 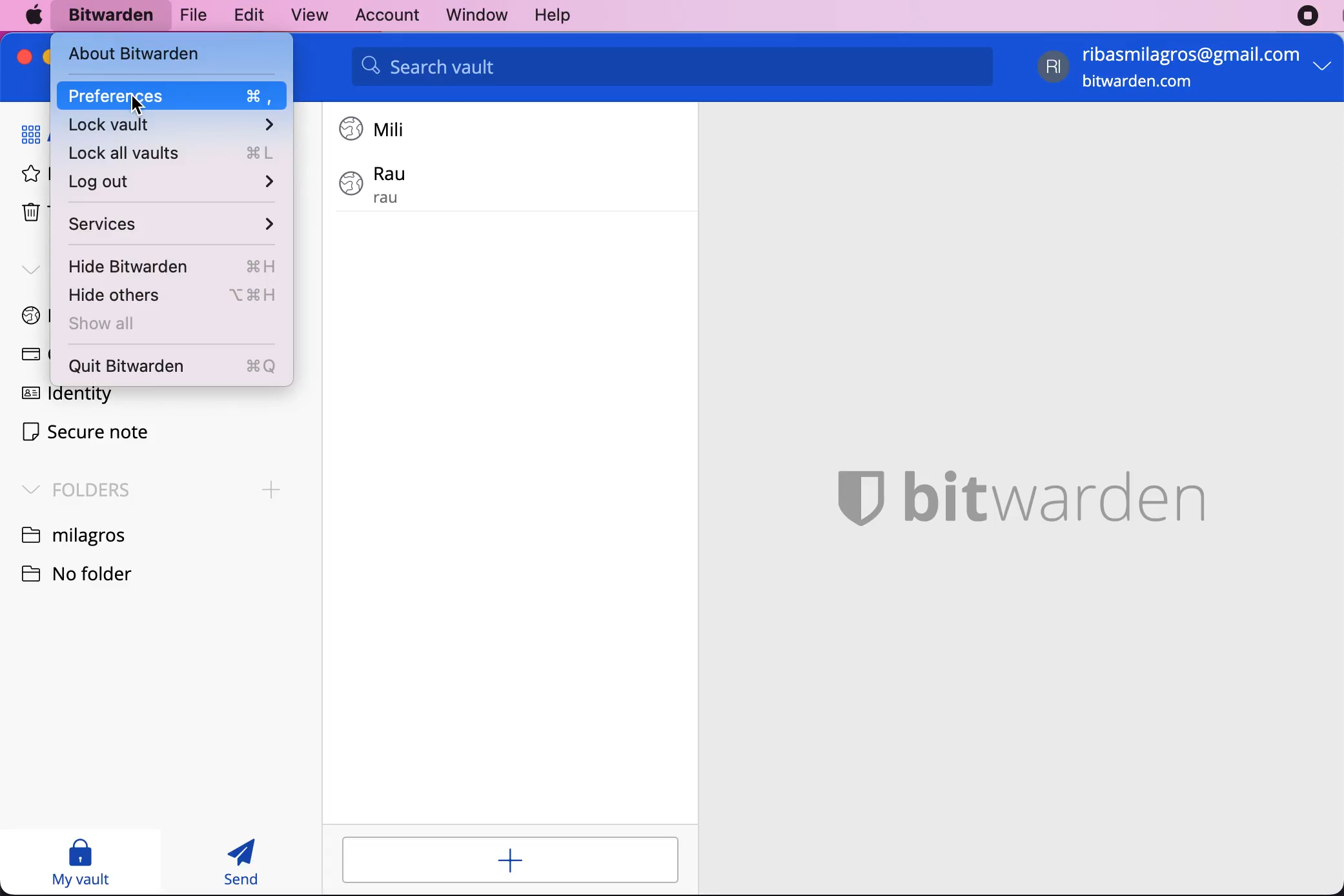 I want to click on file, so click(x=190, y=14).